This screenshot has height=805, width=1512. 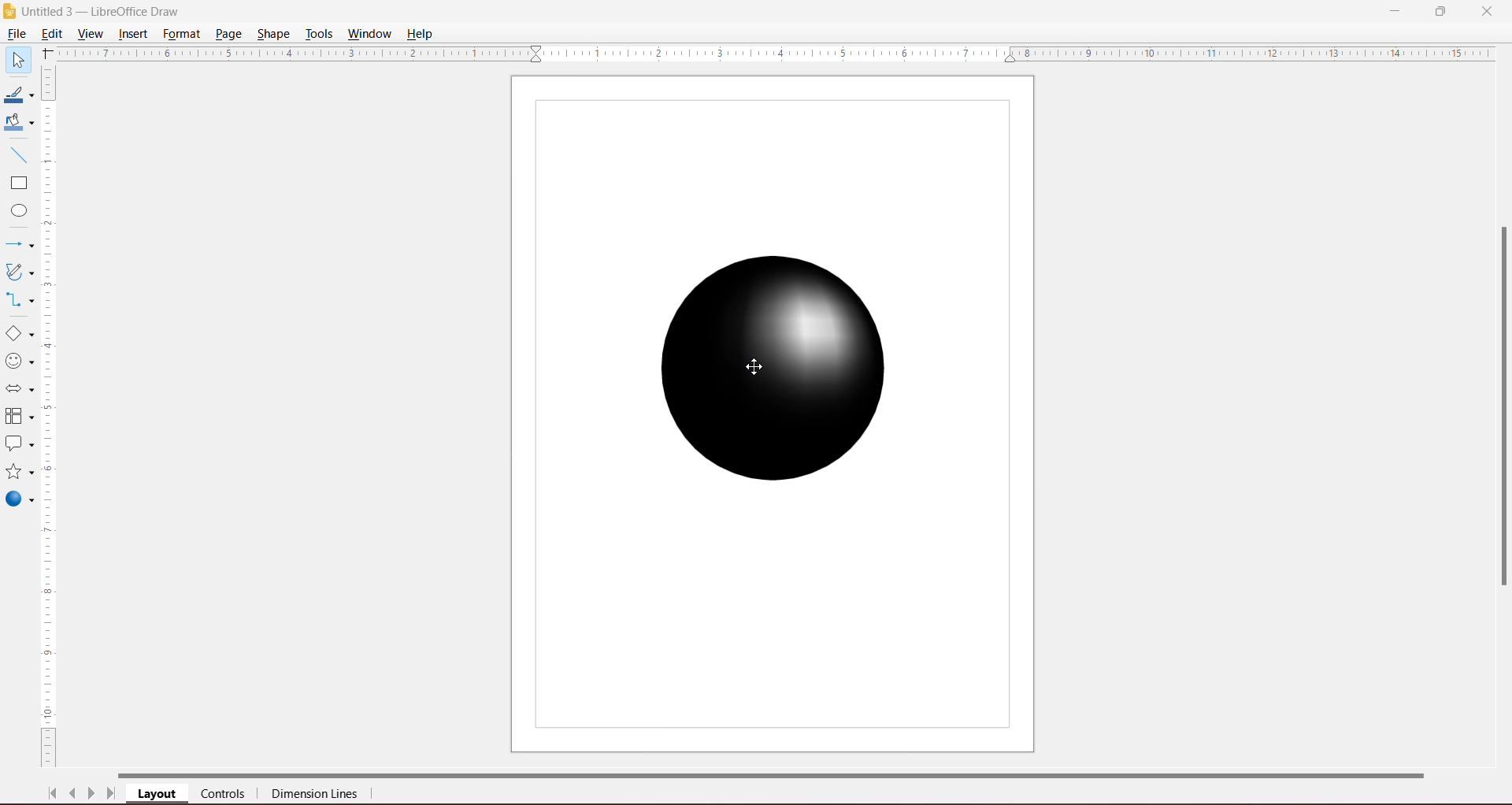 I want to click on Restore Down, so click(x=1440, y=10).